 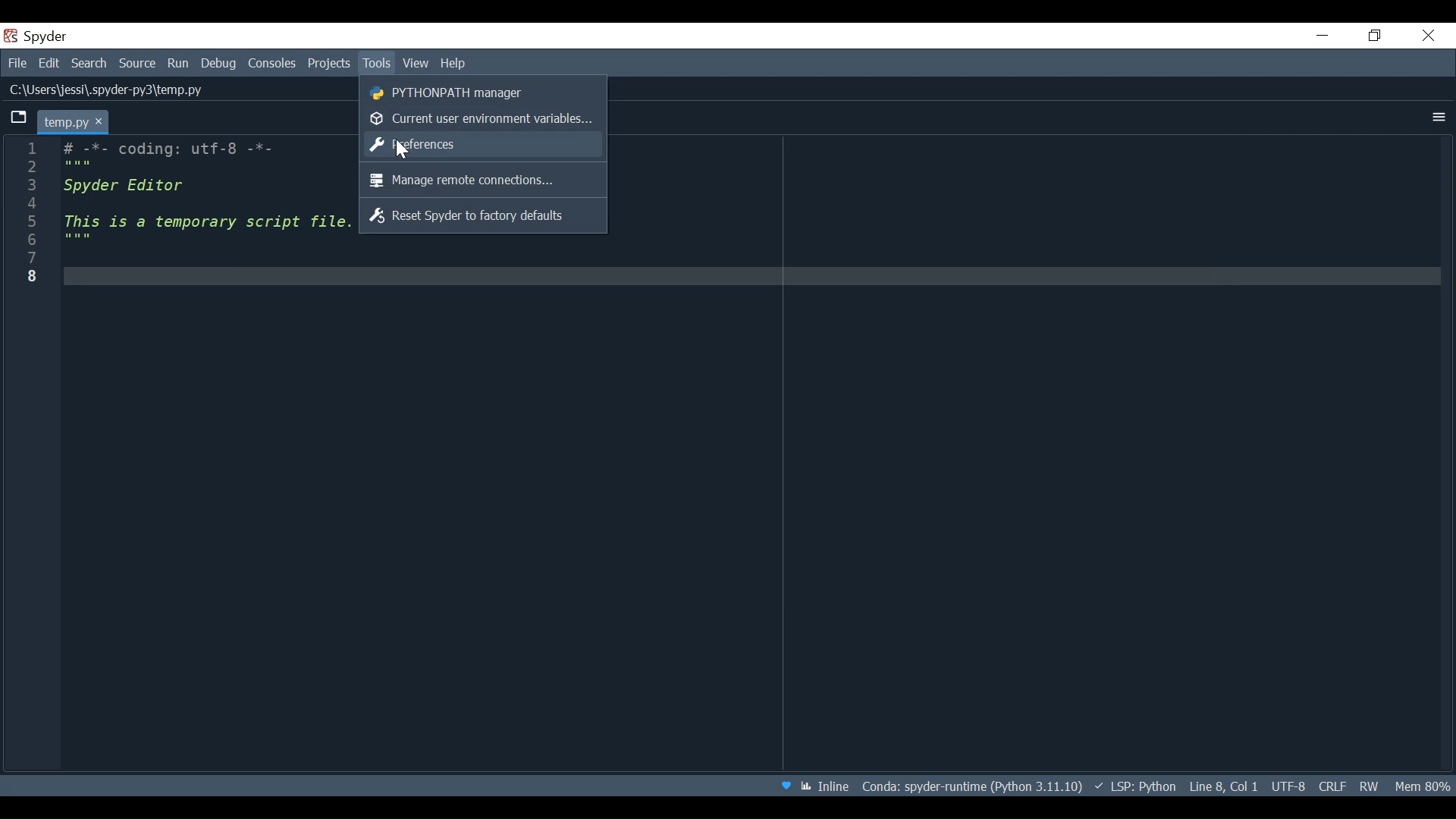 I want to click on Cursor Position, so click(x=1223, y=786).